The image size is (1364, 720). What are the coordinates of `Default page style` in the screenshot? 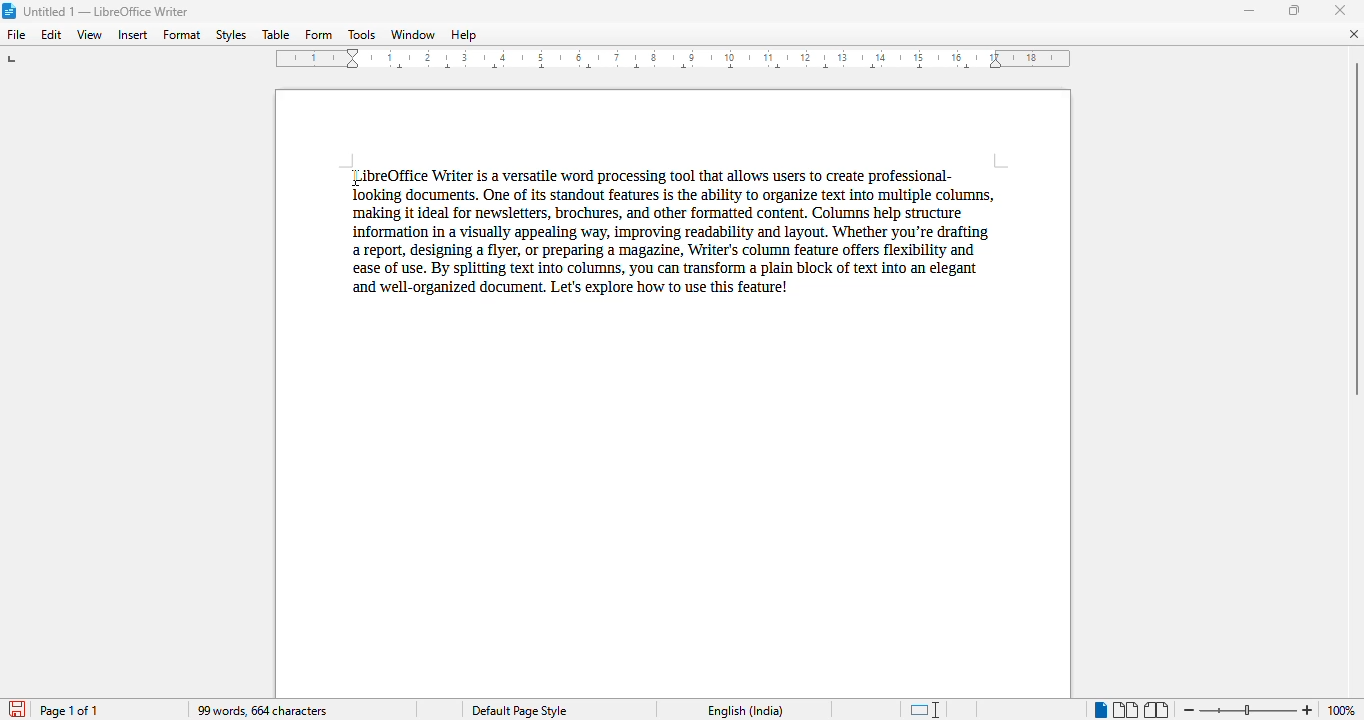 It's located at (519, 710).